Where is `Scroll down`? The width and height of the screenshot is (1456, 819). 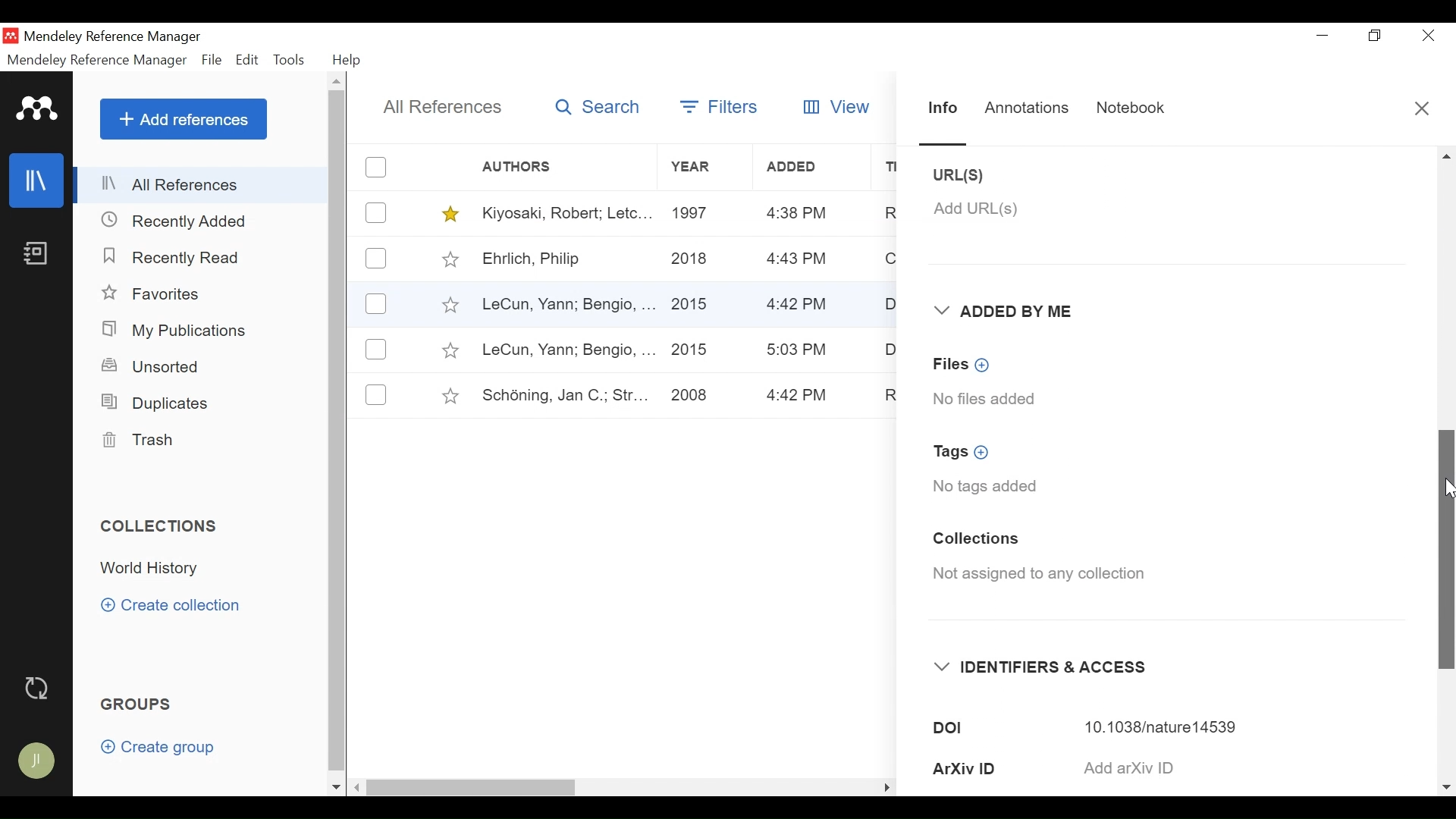
Scroll down is located at coordinates (336, 787).